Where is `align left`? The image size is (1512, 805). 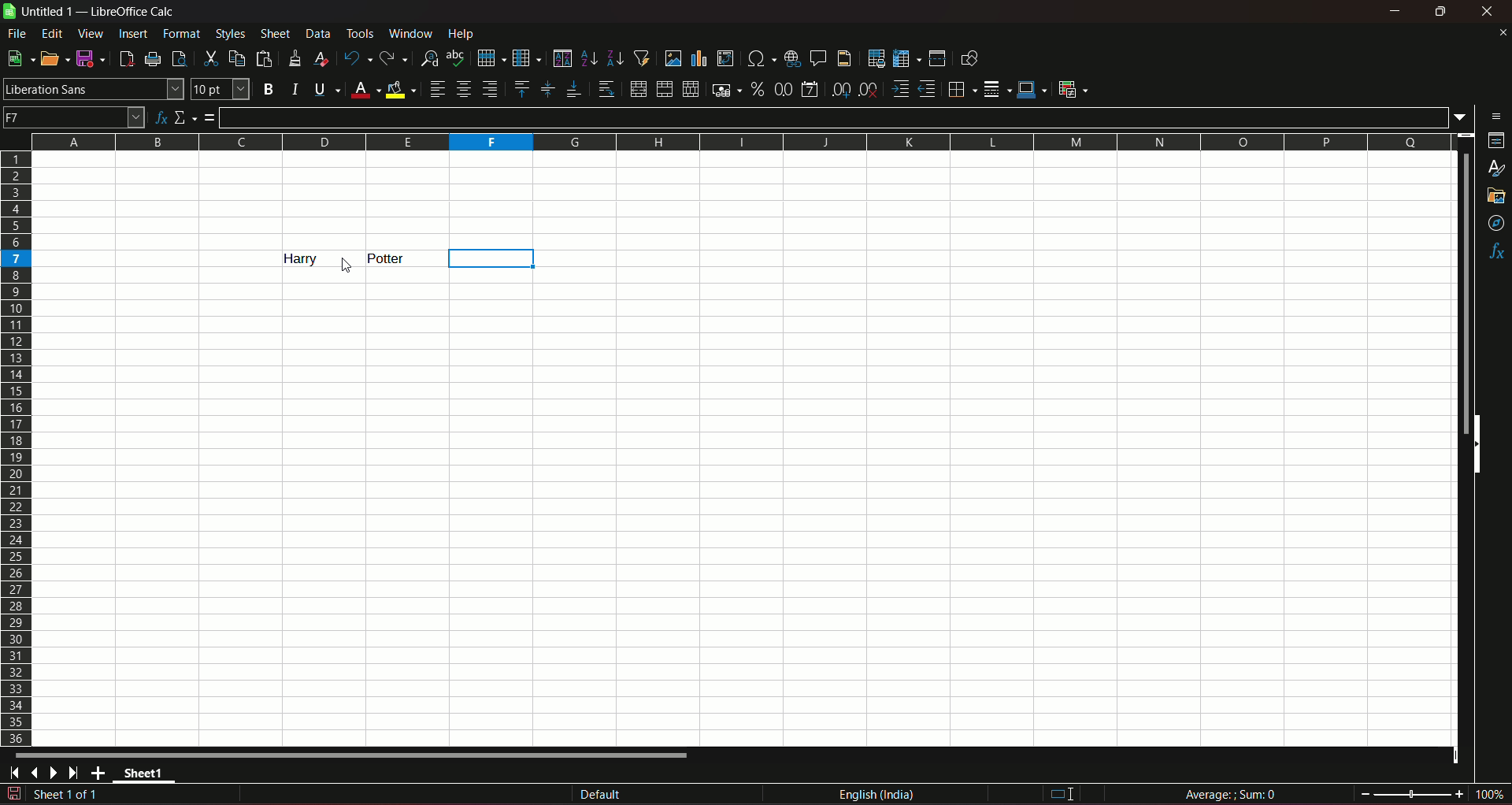 align left is located at coordinates (437, 89).